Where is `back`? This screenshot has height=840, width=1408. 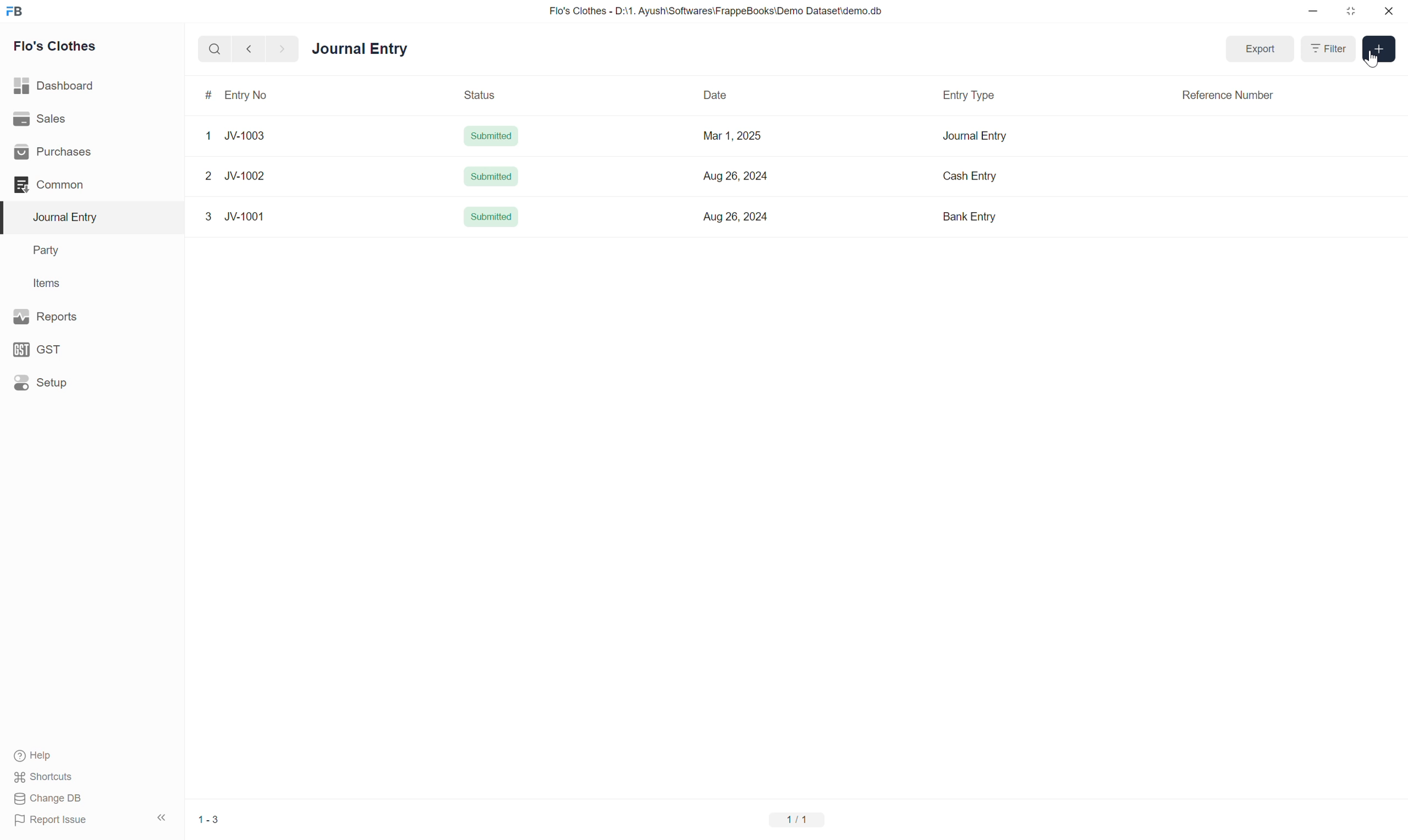
back is located at coordinates (246, 49).